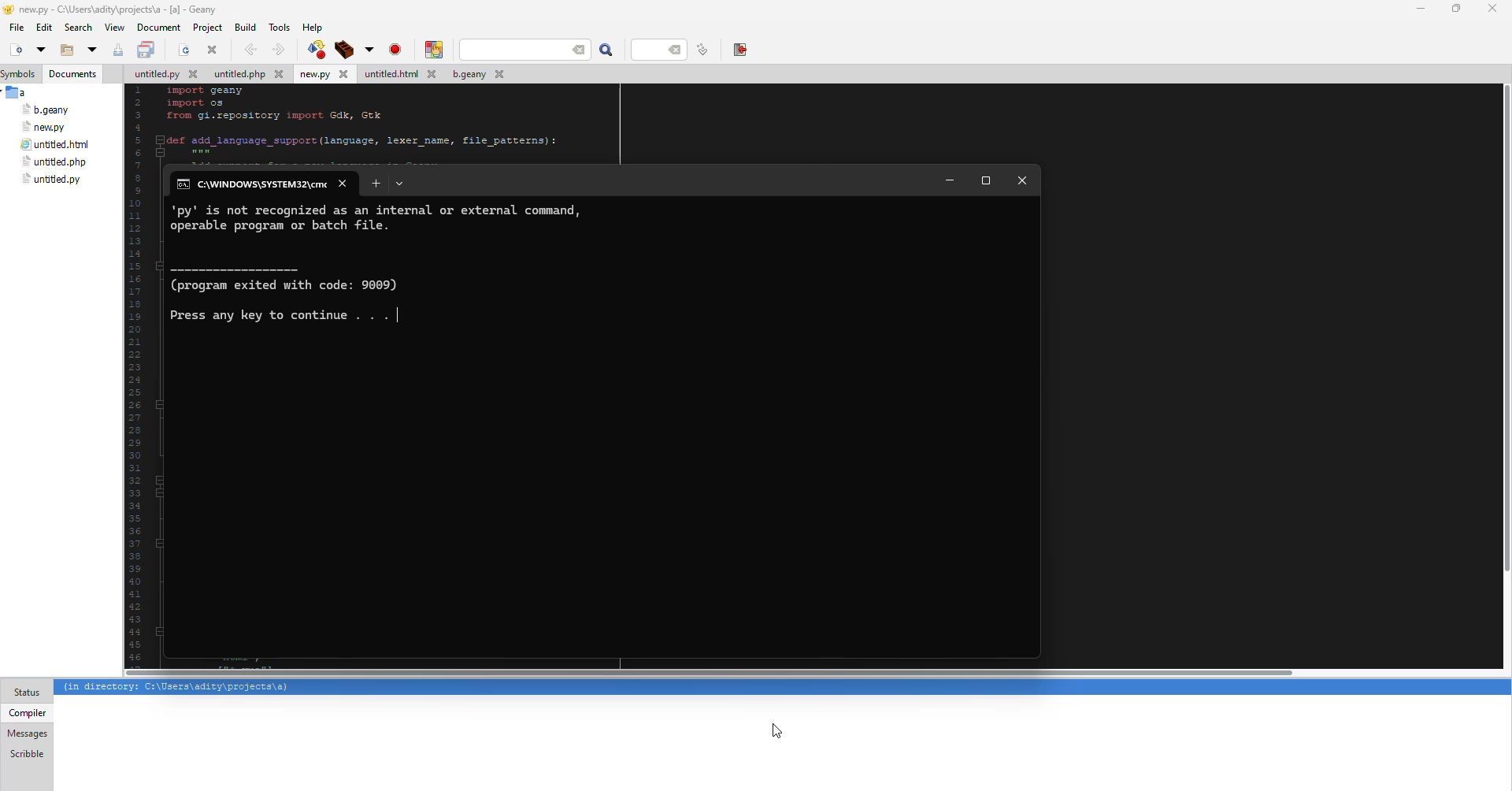 This screenshot has height=791, width=1512. I want to click on file, so click(398, 74).